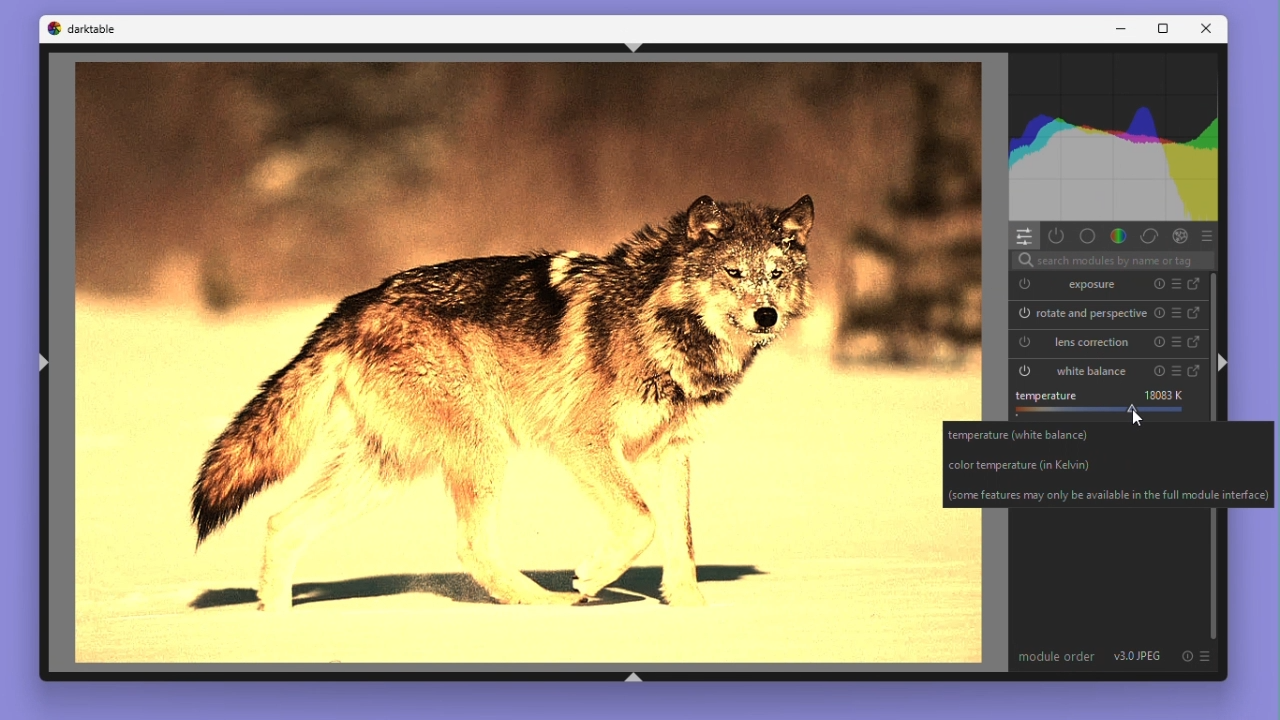 Image resolution: width=1280 pixels, height=720 pixels. What do you see at coordinates (1157, 343) in the screenshot?
I see `Reset` at bounding box center [1157, 343].